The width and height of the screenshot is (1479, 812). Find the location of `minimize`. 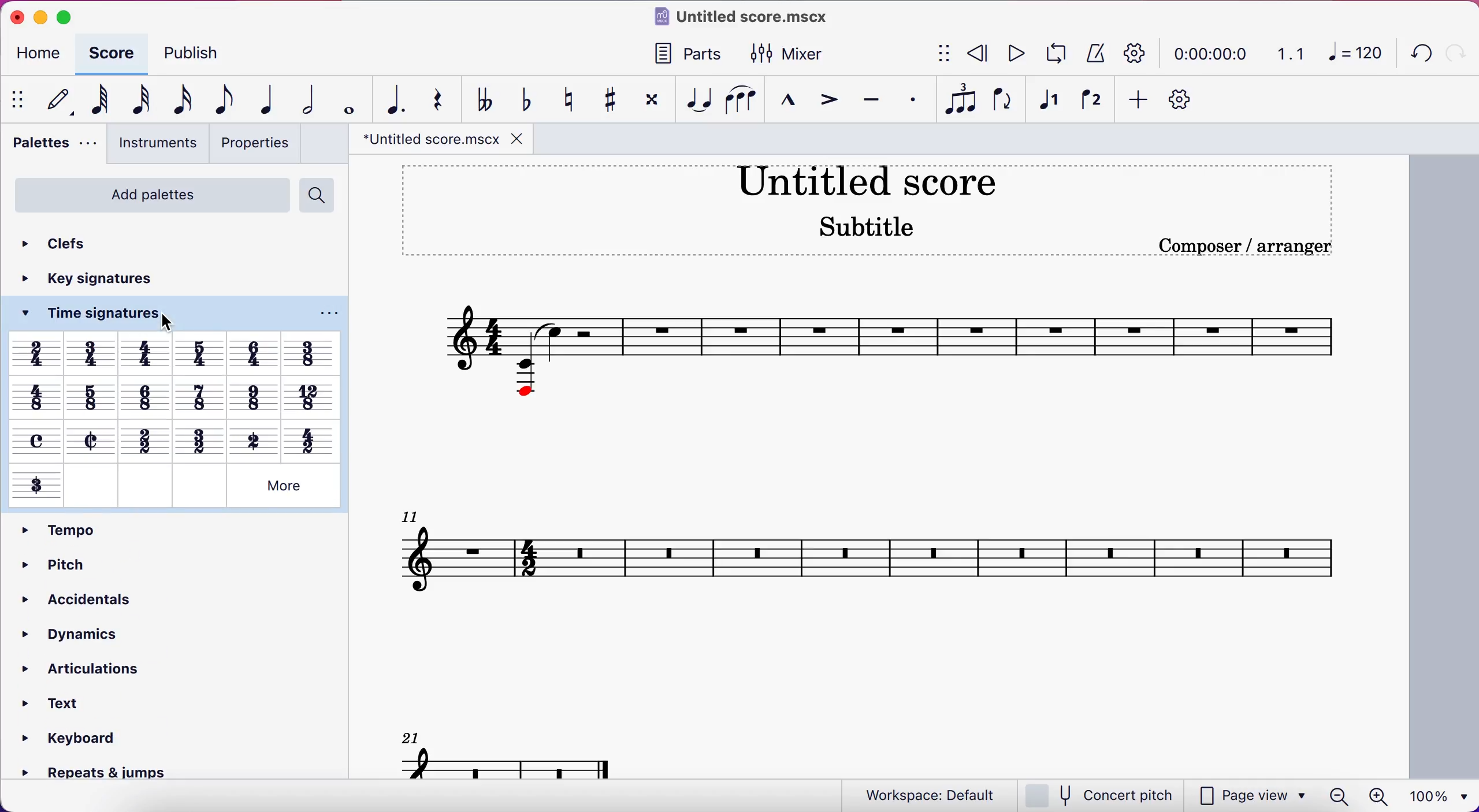

minimize is located at coordinates (40, 15).